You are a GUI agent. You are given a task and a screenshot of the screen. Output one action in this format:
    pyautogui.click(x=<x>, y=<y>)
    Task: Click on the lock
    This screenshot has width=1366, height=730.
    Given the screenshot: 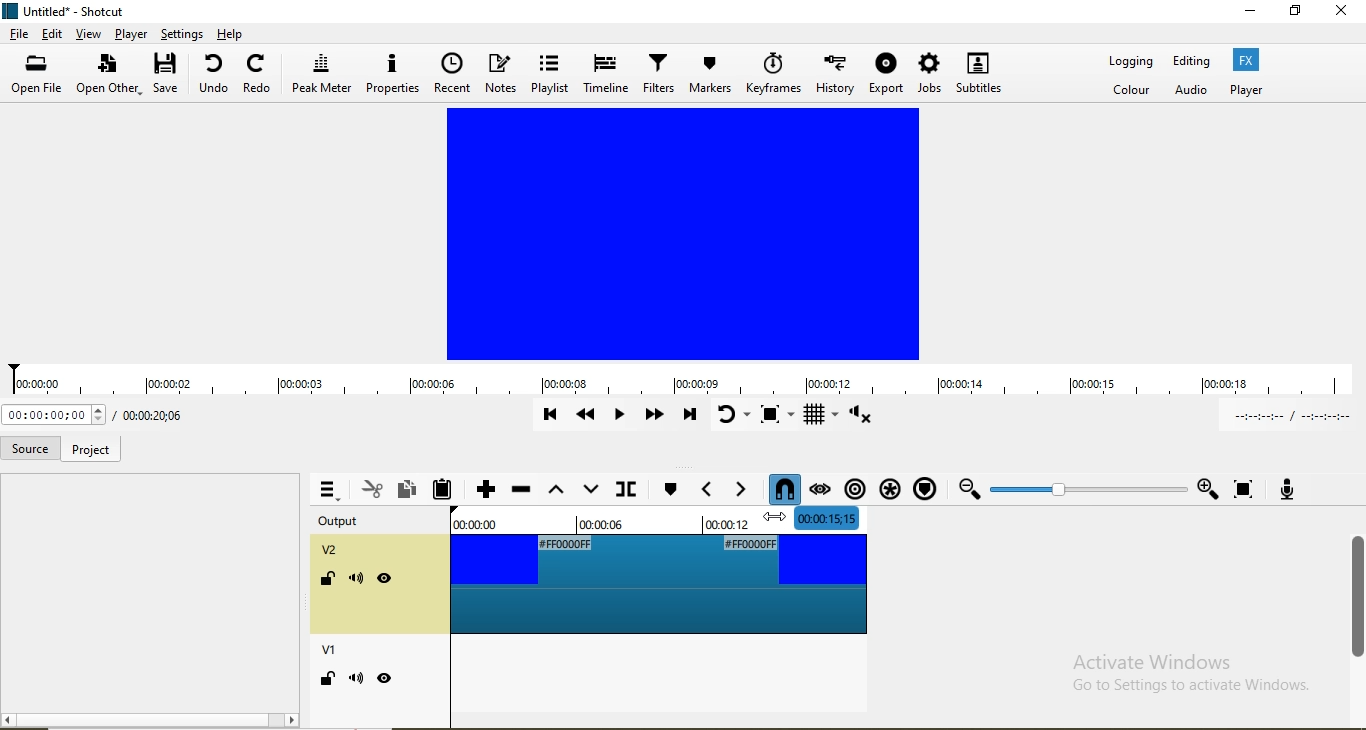 What is the action you would take?
    pyautogui.click(x=326, y=581)
    